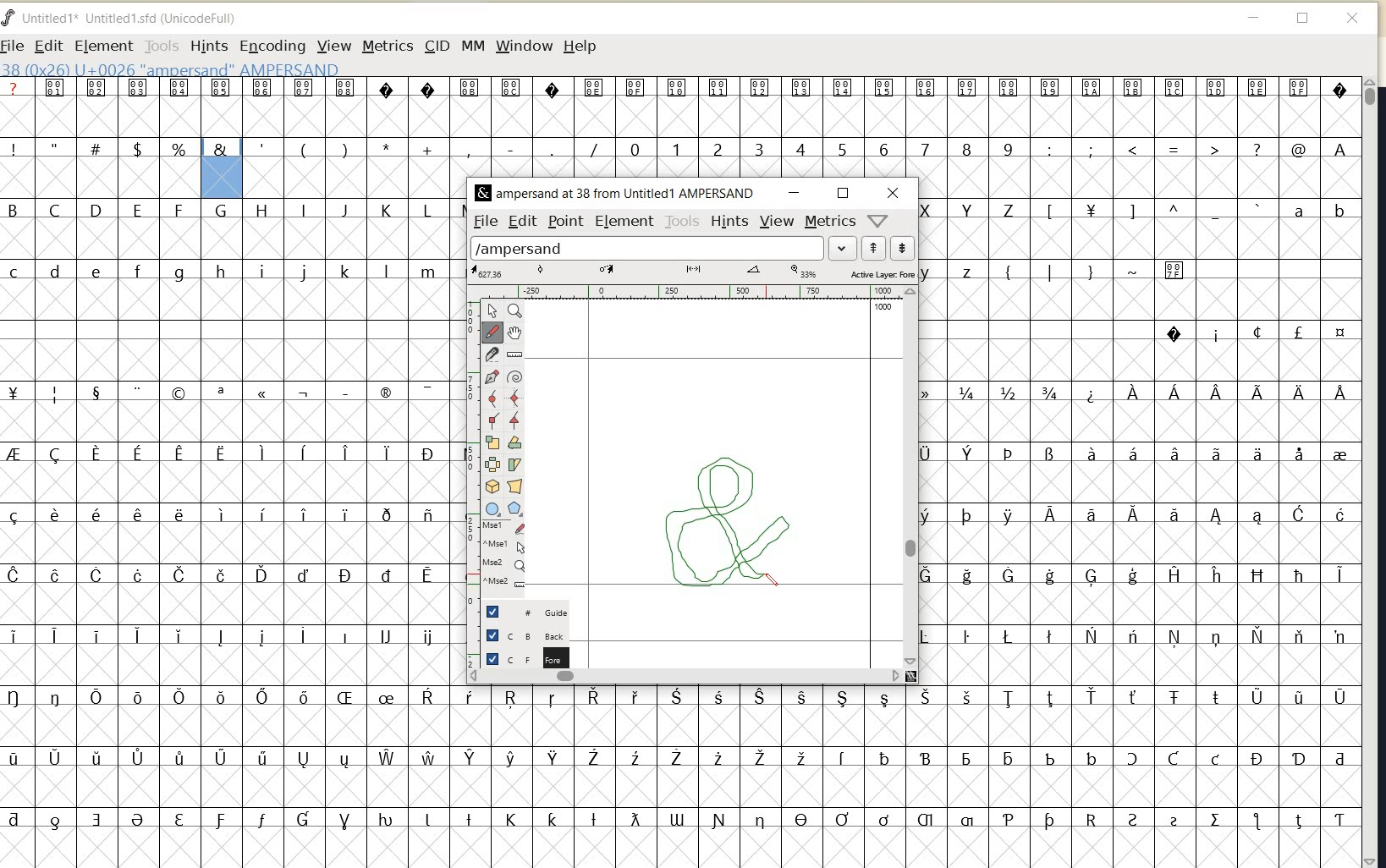  Describe the element at coordinates (693, 272) in the screenshot. I see `ACTIVE LAYER` at that location.